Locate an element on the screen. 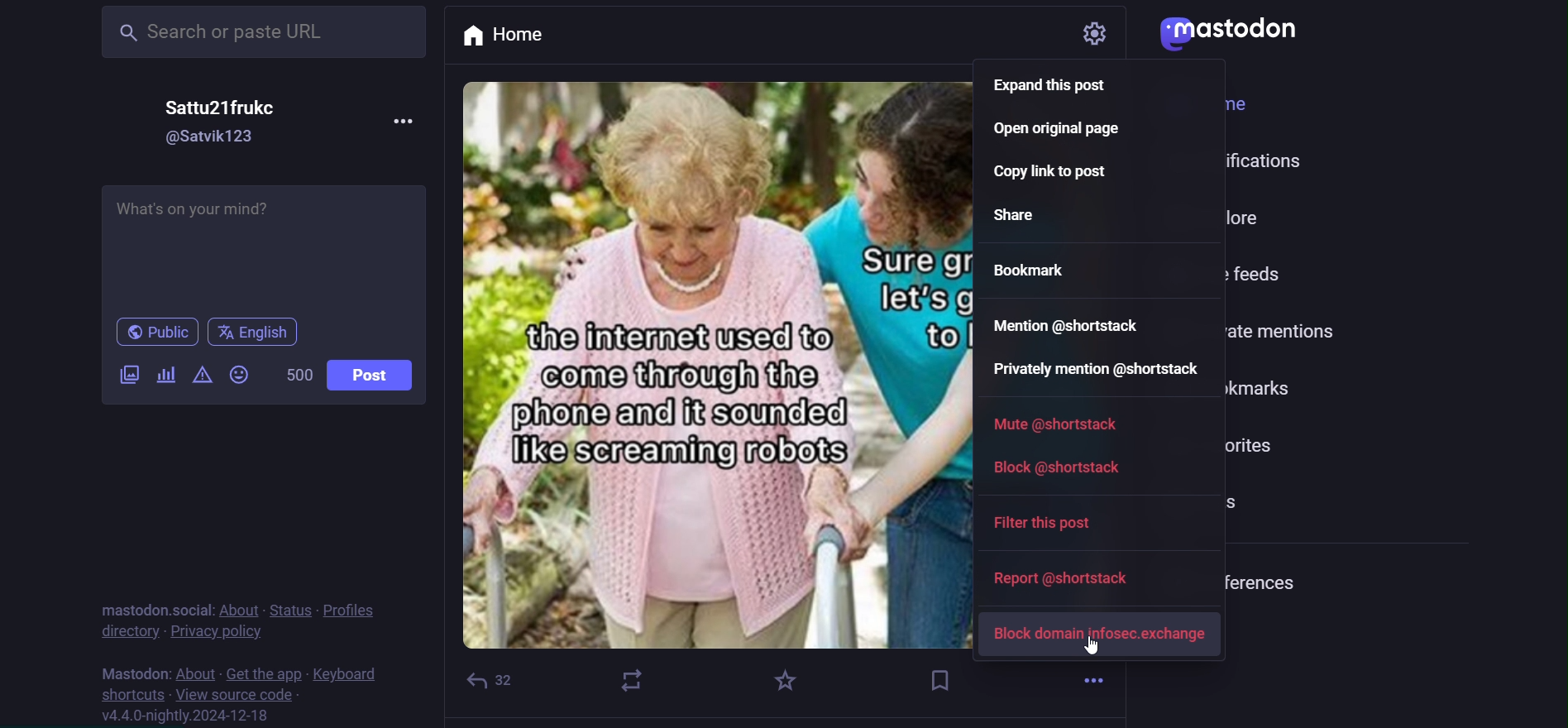  expand this post is located at coordinates (1061, 89).